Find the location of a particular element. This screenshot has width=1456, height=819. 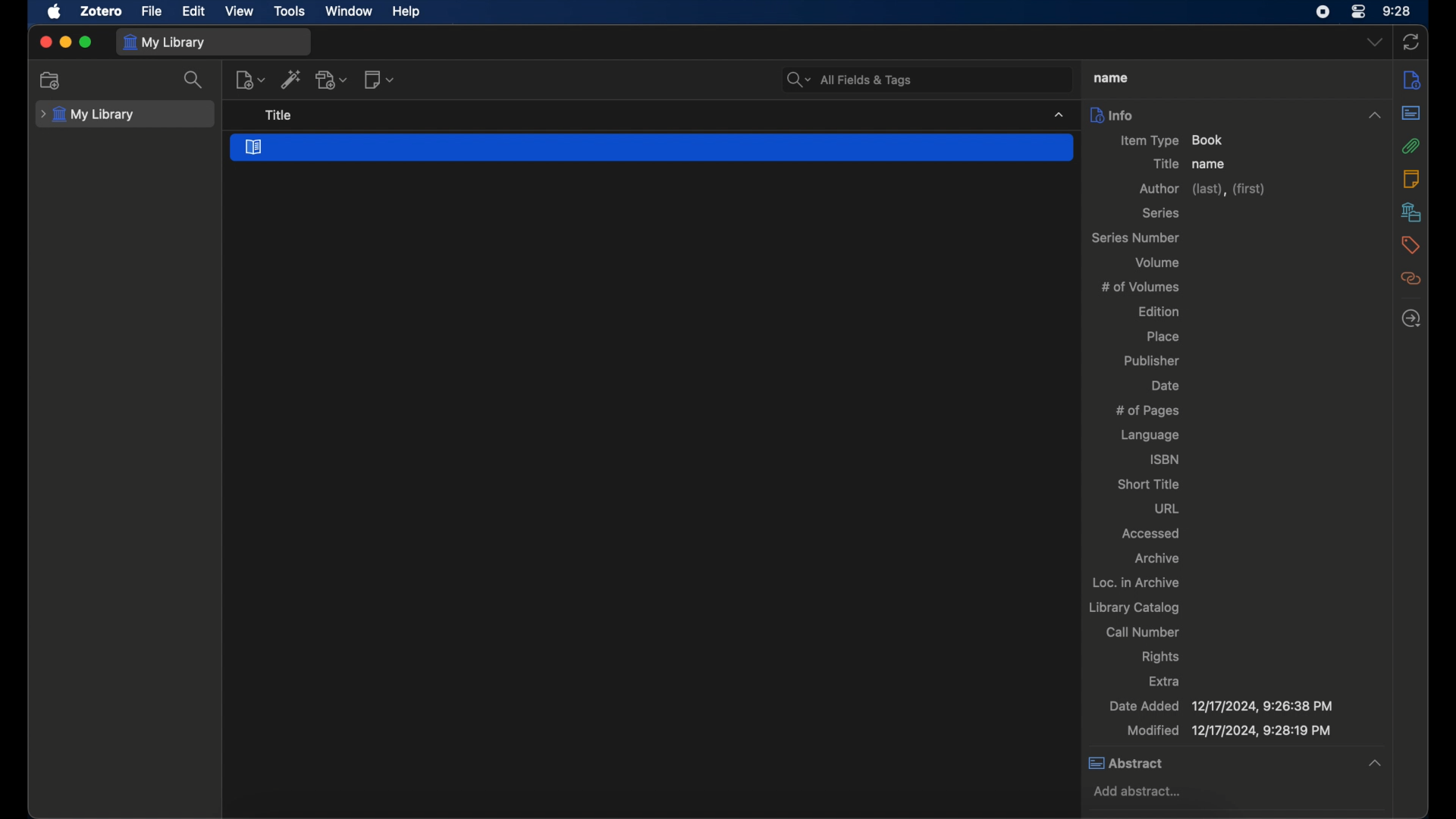

search is located at coordinates (196, 79).